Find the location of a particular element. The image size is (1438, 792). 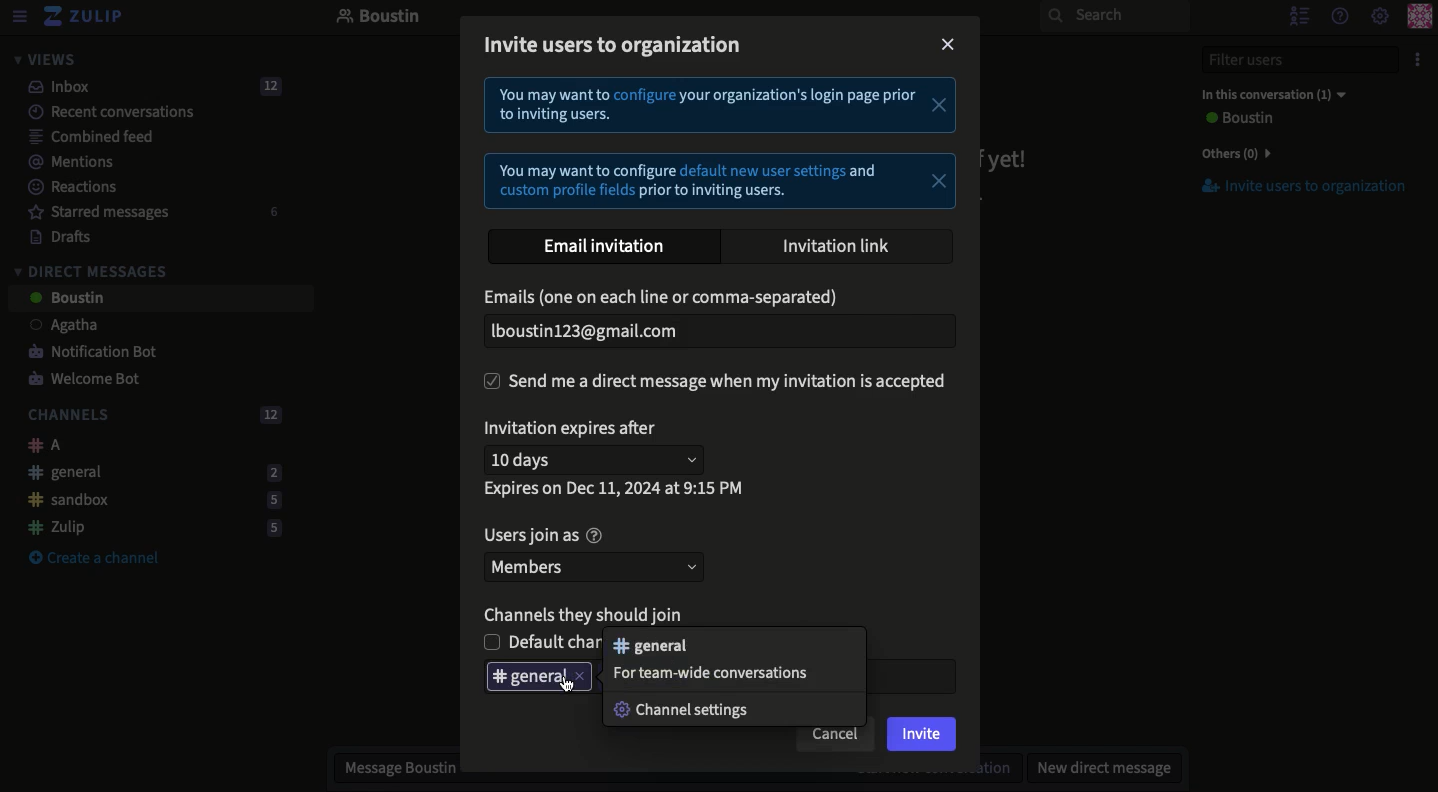

Reactions is located at coordinates (69, 189).